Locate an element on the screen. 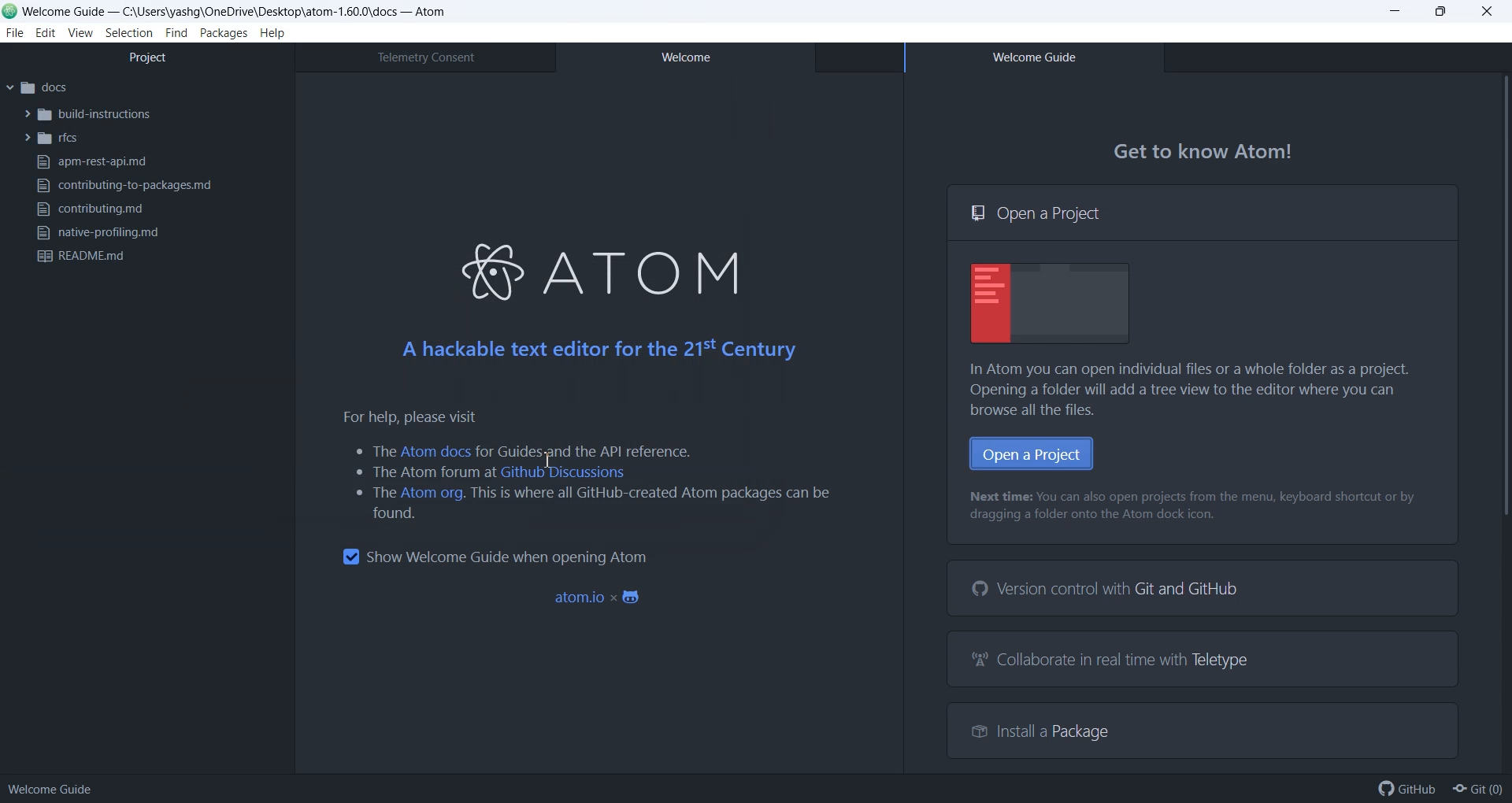 This screenshot has width=1512, height=803. native-profiling.md is located at coordinates (96, 232).